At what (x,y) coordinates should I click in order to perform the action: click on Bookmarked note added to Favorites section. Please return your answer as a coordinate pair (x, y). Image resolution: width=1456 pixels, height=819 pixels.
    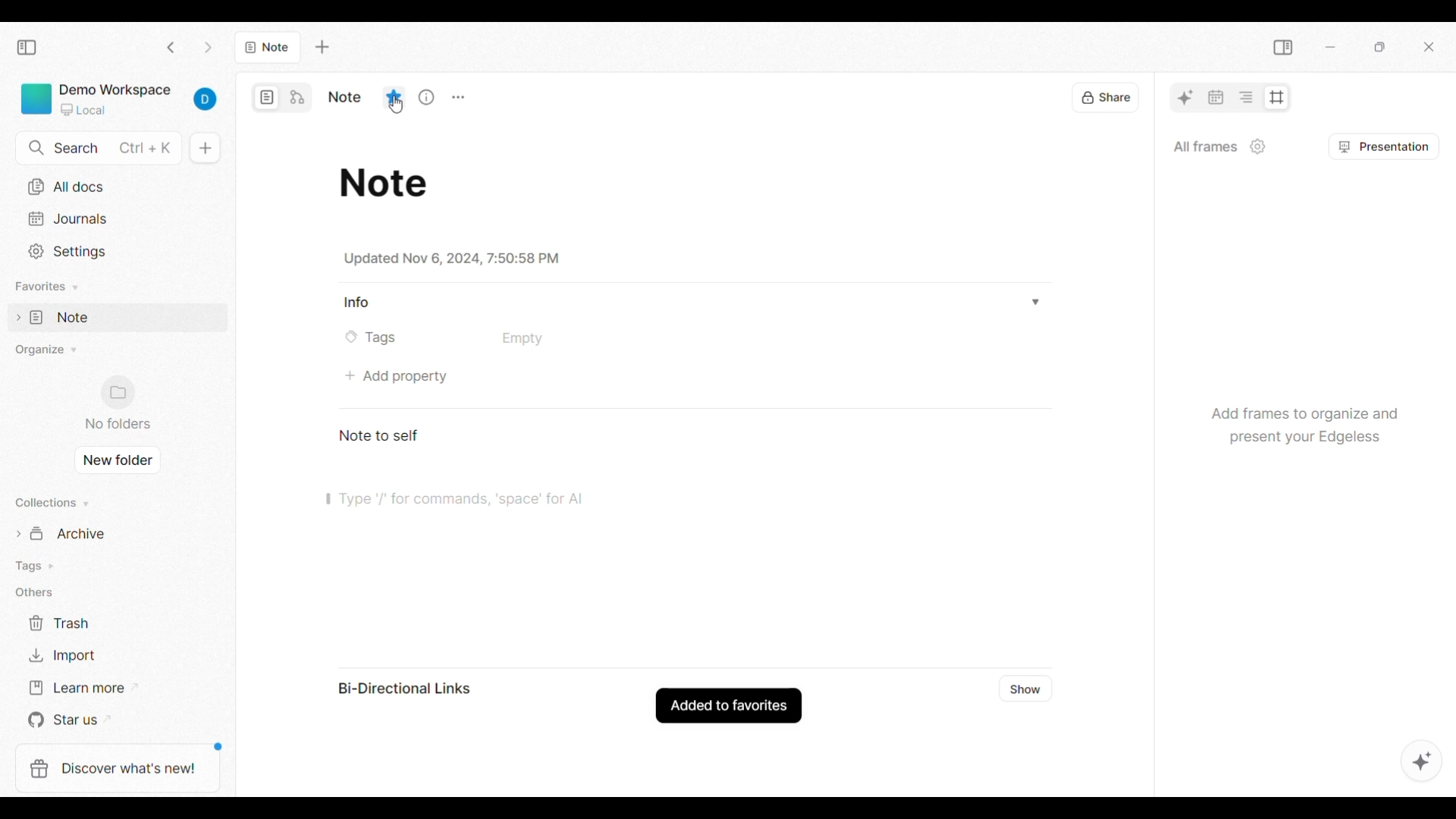
    Looking at the image, I should click on (115, 317).